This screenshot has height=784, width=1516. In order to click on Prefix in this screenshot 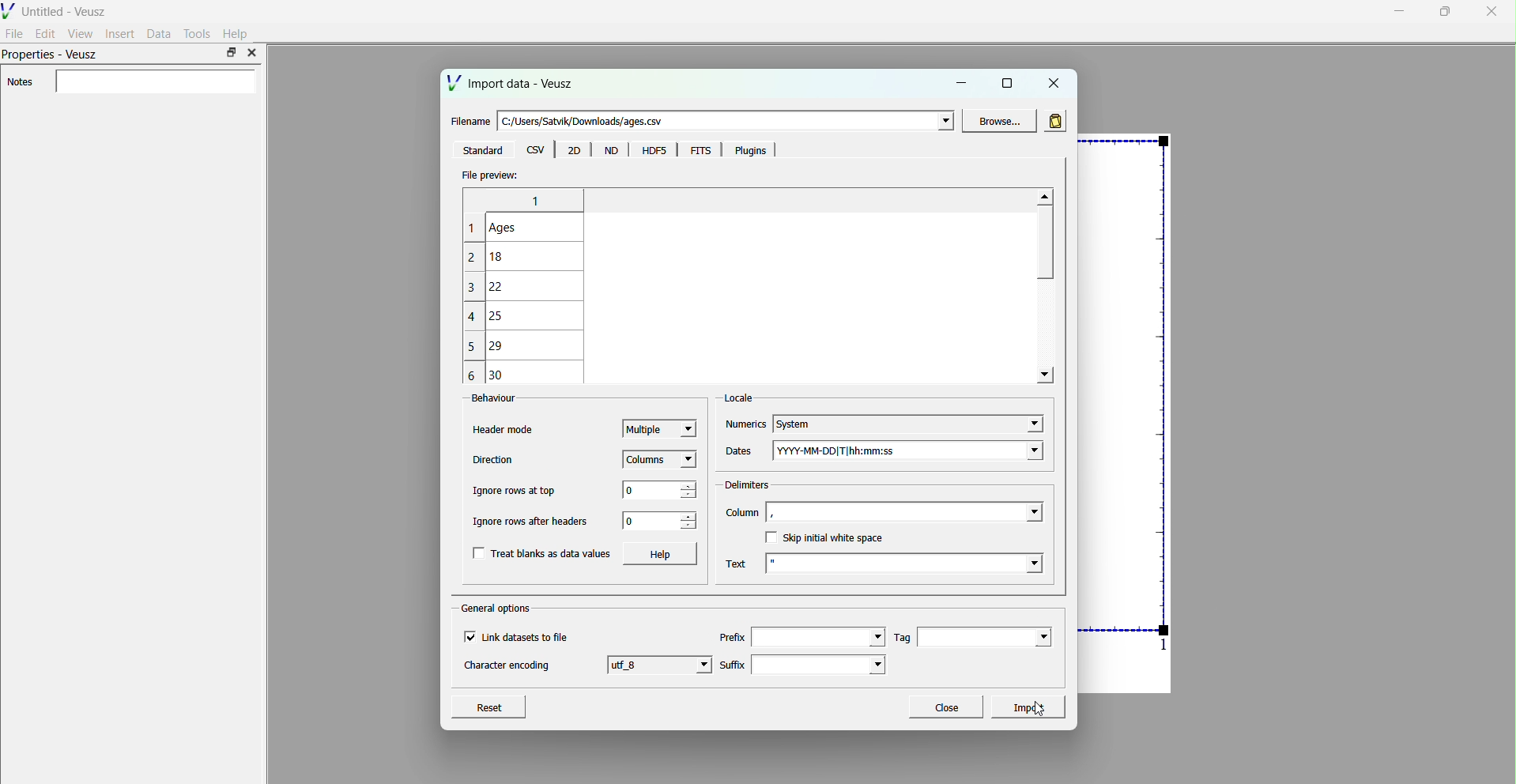, I will do `click(731, 637)`.